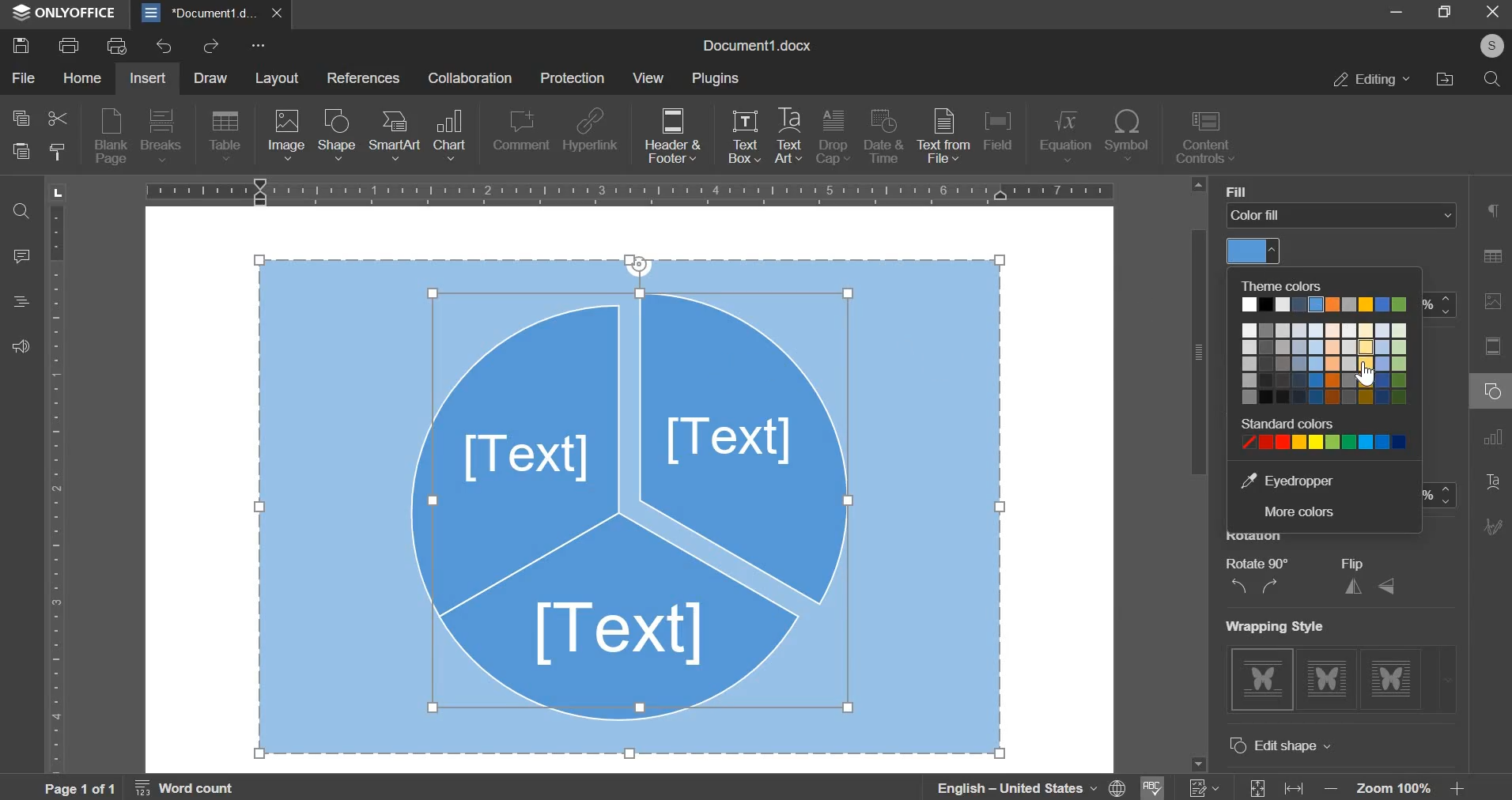  What do you see at coordinates (214, 12) in the screenshot?
I see `document1` at bounding box center [214, 12].